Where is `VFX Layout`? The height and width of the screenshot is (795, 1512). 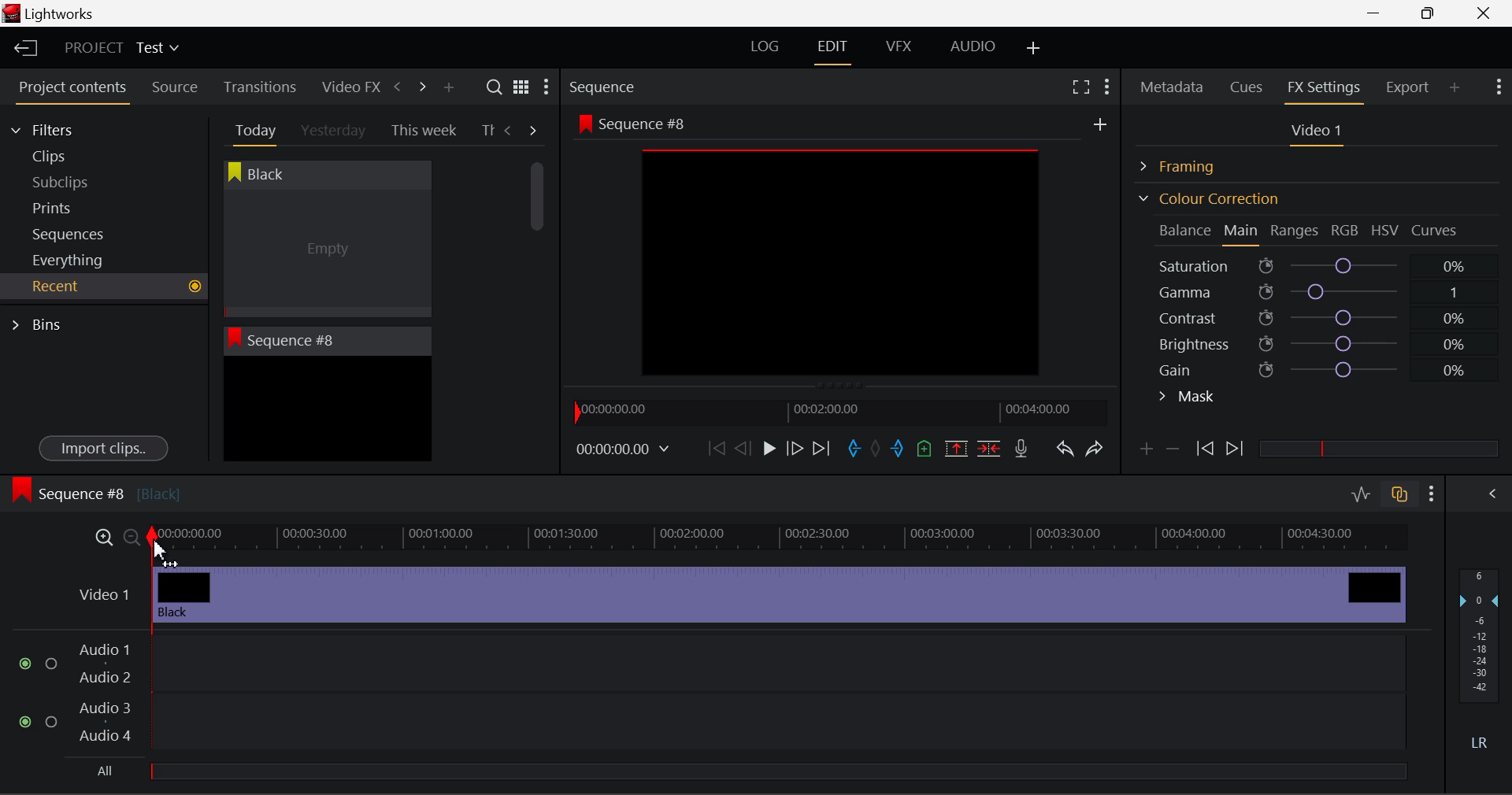
VFX Layout is located at coordinates (902, 48).